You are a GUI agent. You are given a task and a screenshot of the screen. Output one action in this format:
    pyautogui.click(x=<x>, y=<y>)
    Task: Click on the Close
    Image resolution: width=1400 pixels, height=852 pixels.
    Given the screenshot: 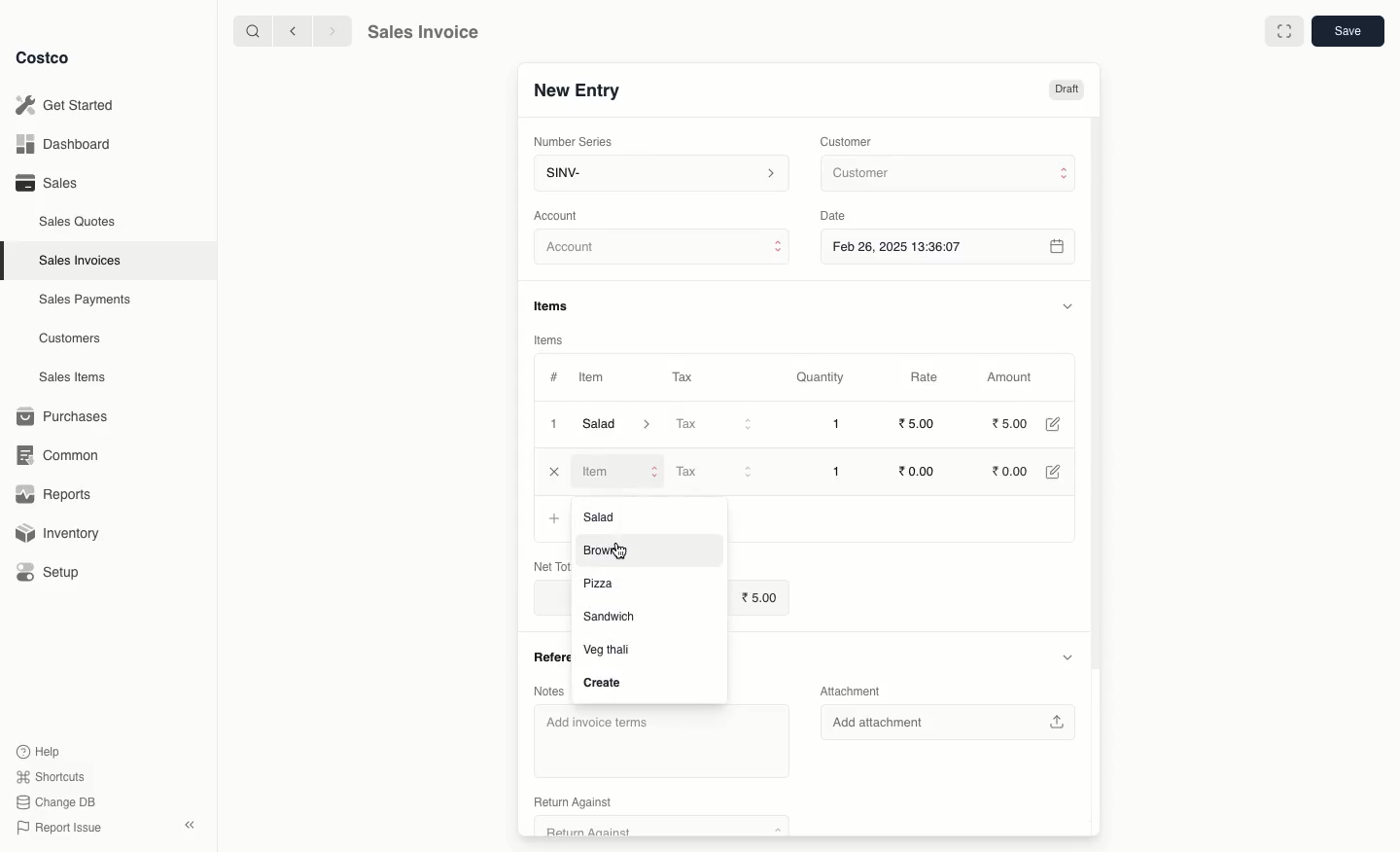 What is the action you would take?
    pyautogui.click(x=555, y=472)
    